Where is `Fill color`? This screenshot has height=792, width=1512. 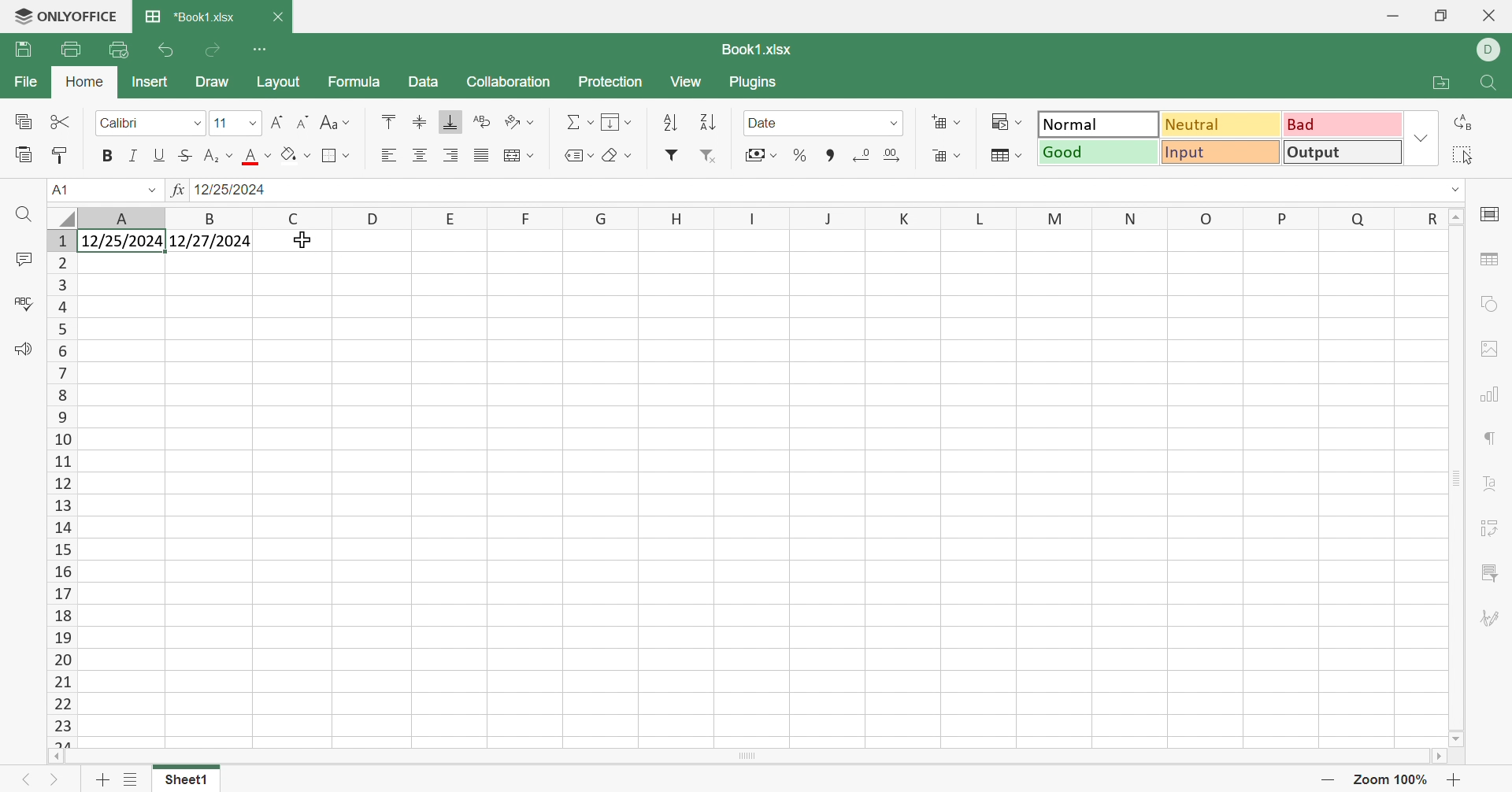 Fill color is located at coordinates (258, 157).